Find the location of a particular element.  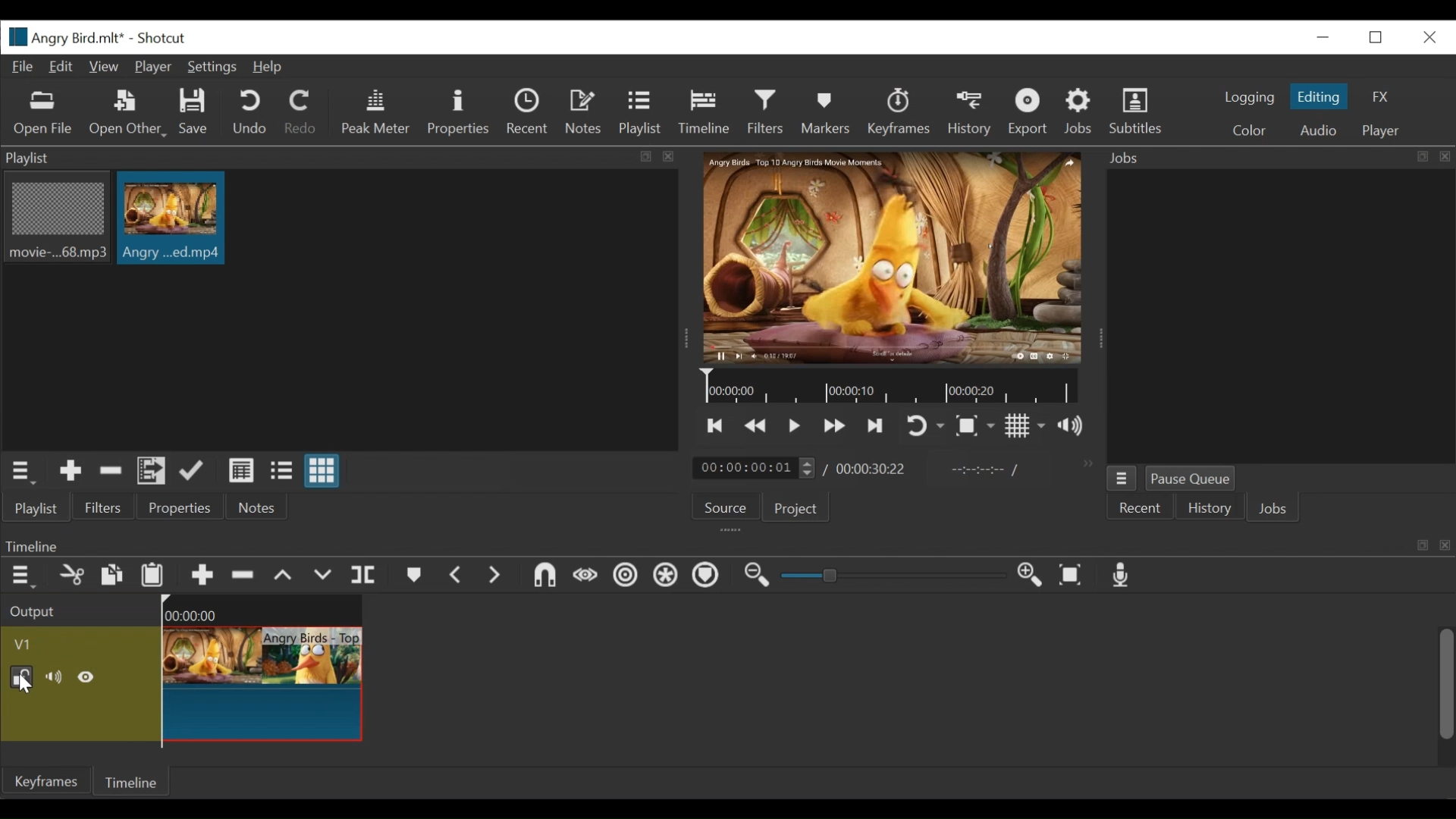

Remove cut is located at coordinates (111, 472).